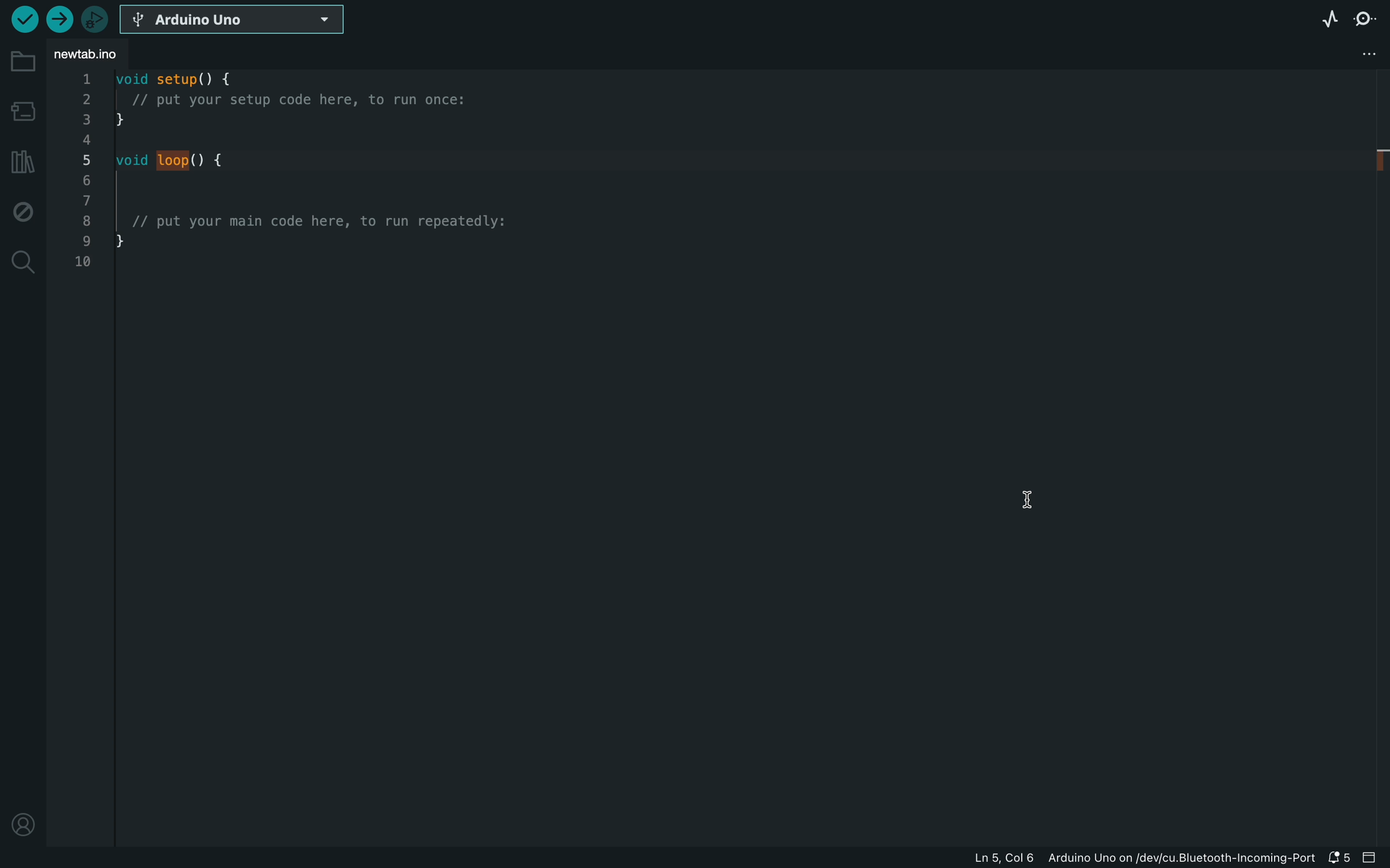 The image size is (1390, 868). What do you see at coordinates (1328, 18) in the screenshot?
I see `serial plotter` at bounding box center [1328, 18].